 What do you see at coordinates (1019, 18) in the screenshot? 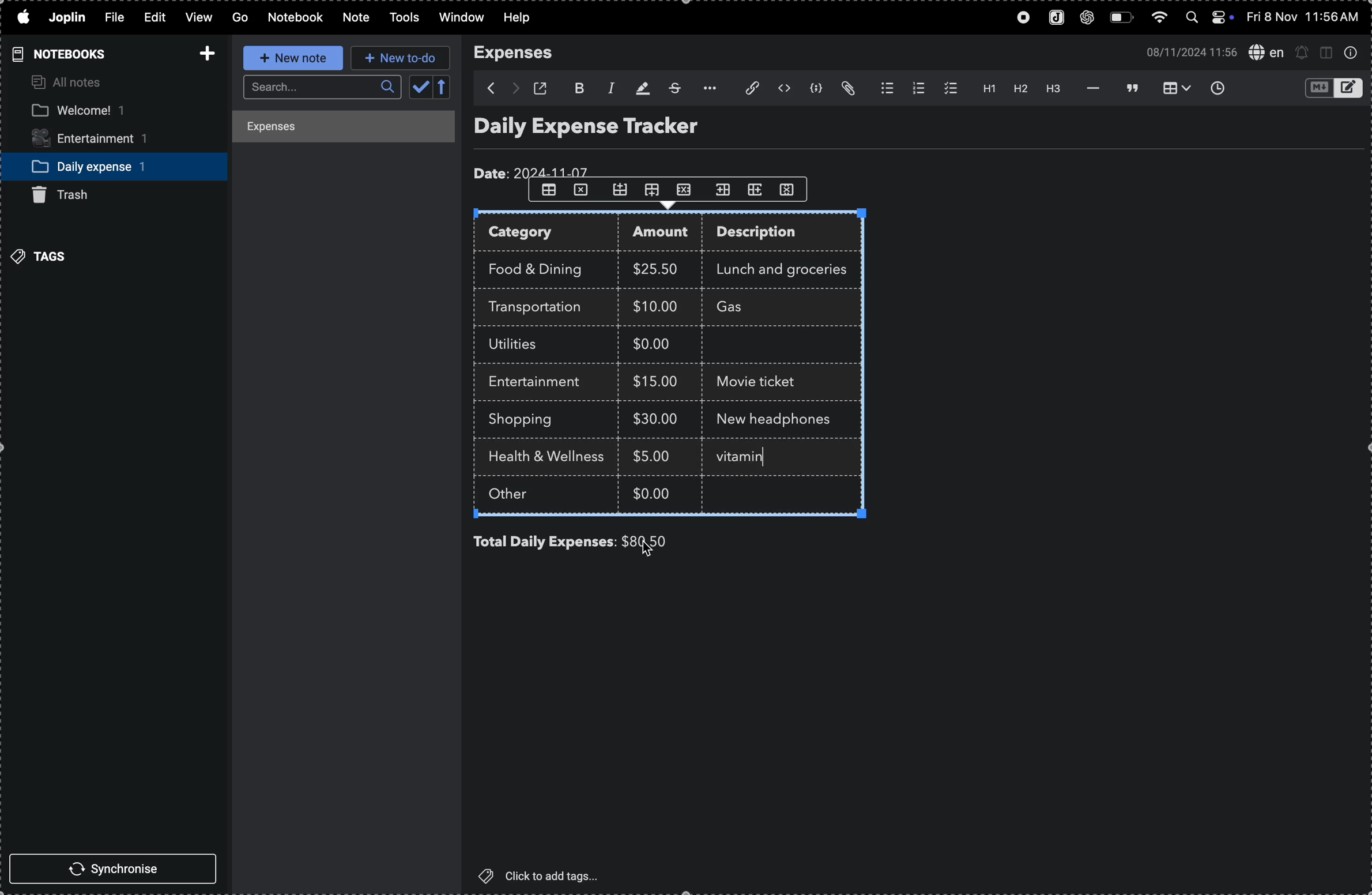
I see `record` at bounding box center [1019, 18].